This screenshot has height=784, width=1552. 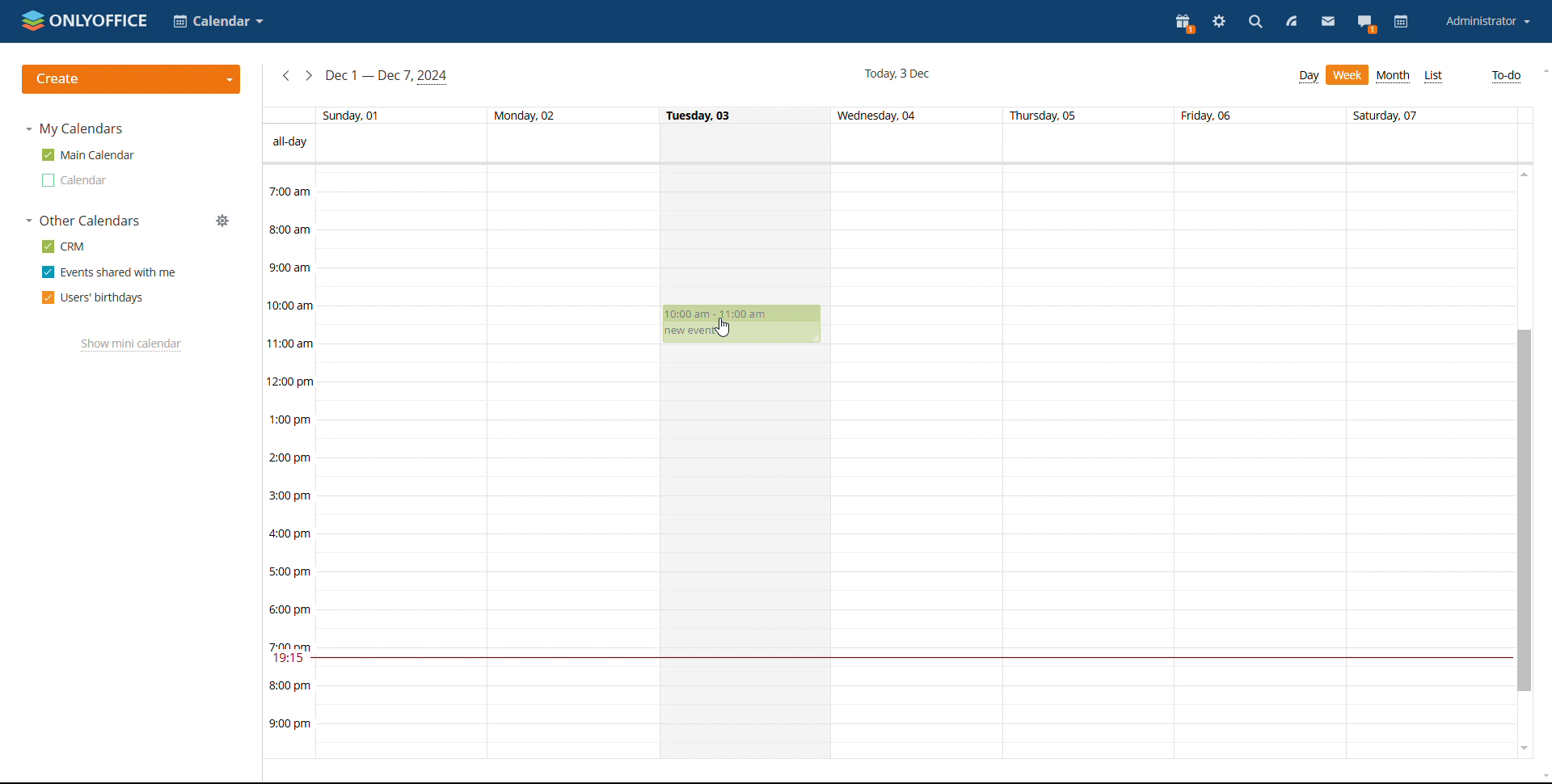 What do you see at coordinates (63, 247) in the screenshot?
I see `CRM` at bounding box center [63, 247].